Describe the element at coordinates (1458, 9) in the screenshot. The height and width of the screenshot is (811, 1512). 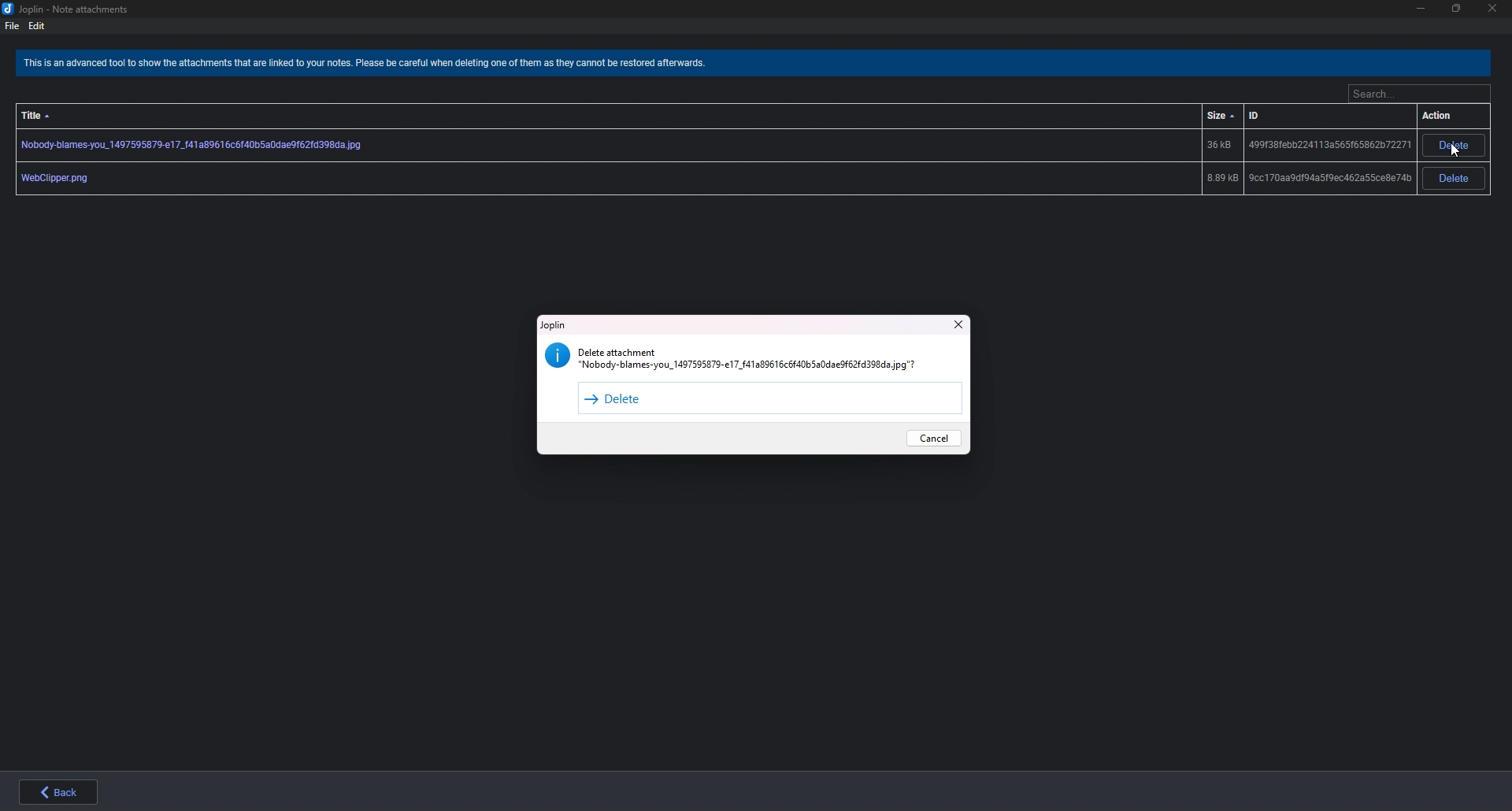
I see `Resize` at that location.